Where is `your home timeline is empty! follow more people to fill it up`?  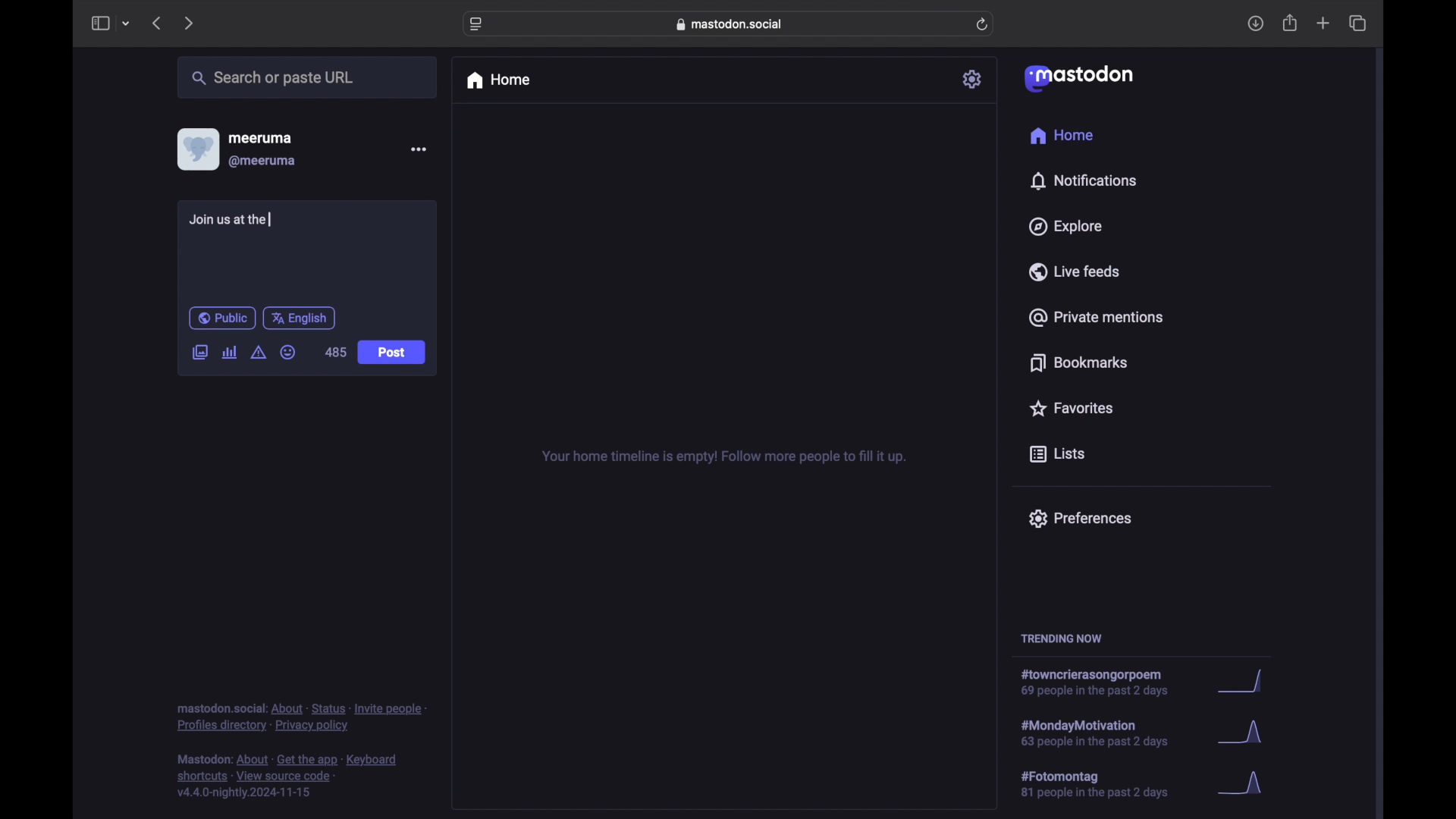
your home timeline is empty! follow more people to fill it up is located at coordinates (723, 457).